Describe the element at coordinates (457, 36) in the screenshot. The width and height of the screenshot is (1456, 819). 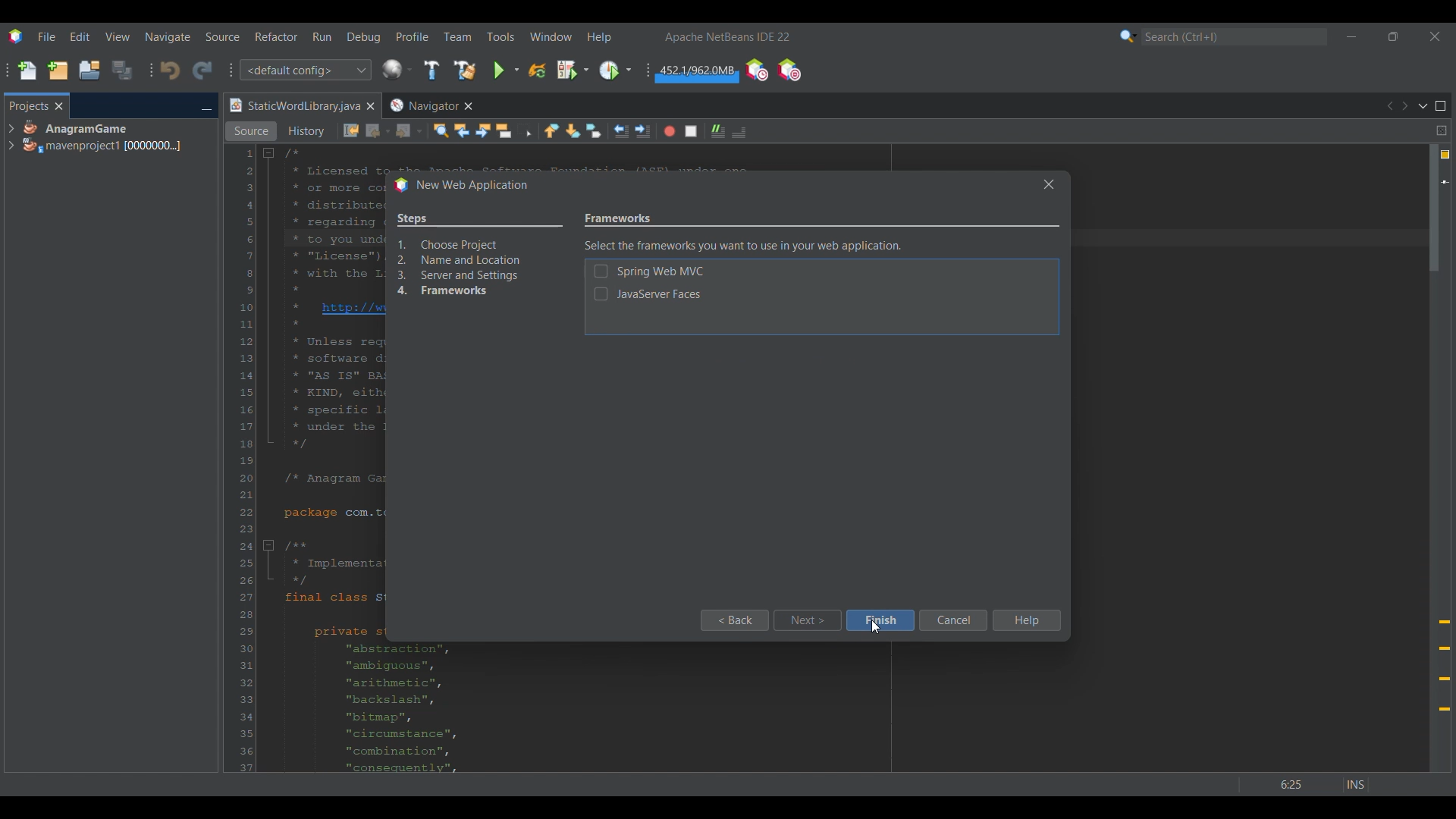
I see `Team menu` at that location.